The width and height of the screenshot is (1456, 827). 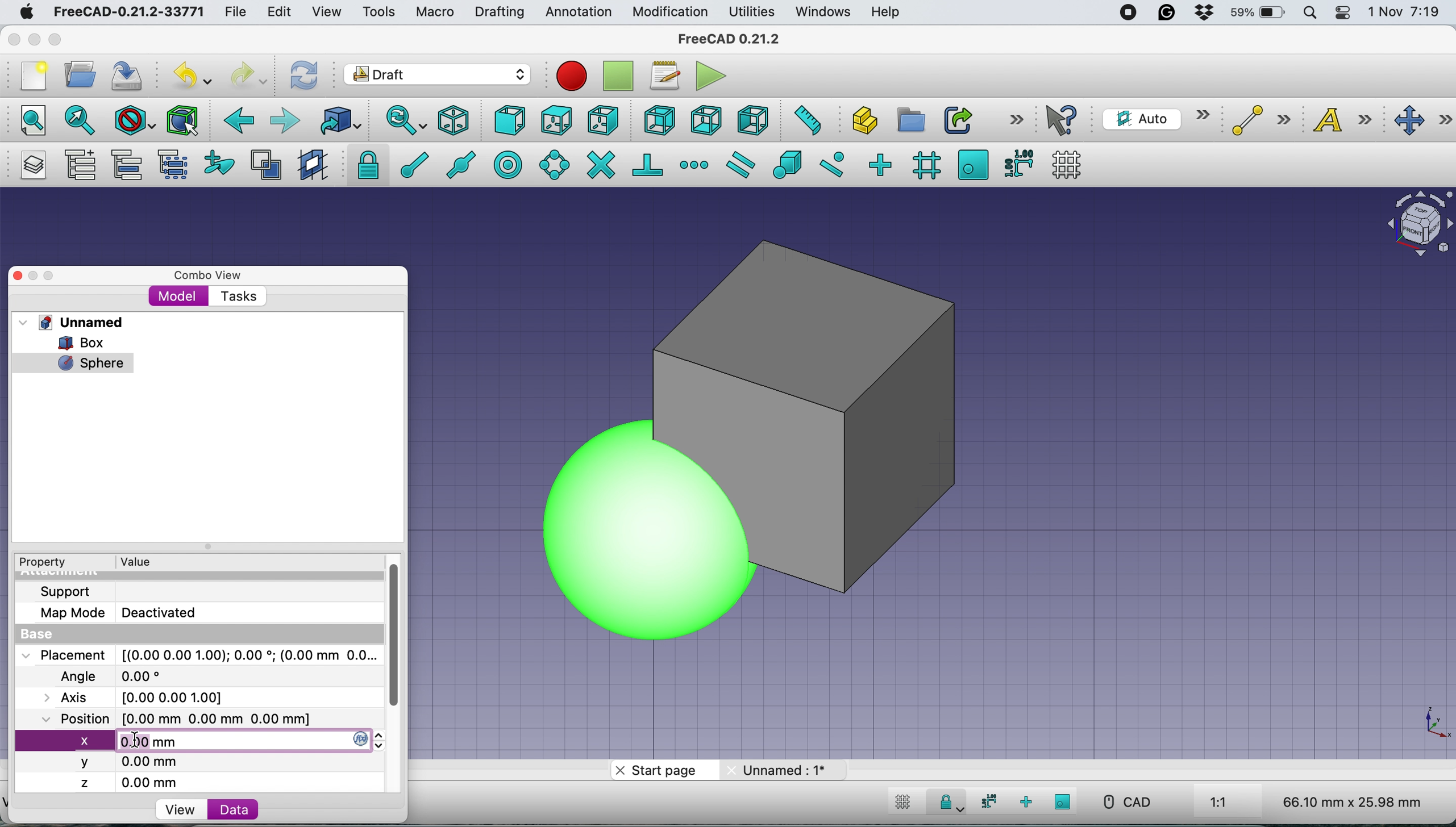 I want to click on axis, so click(x=147, y=697).